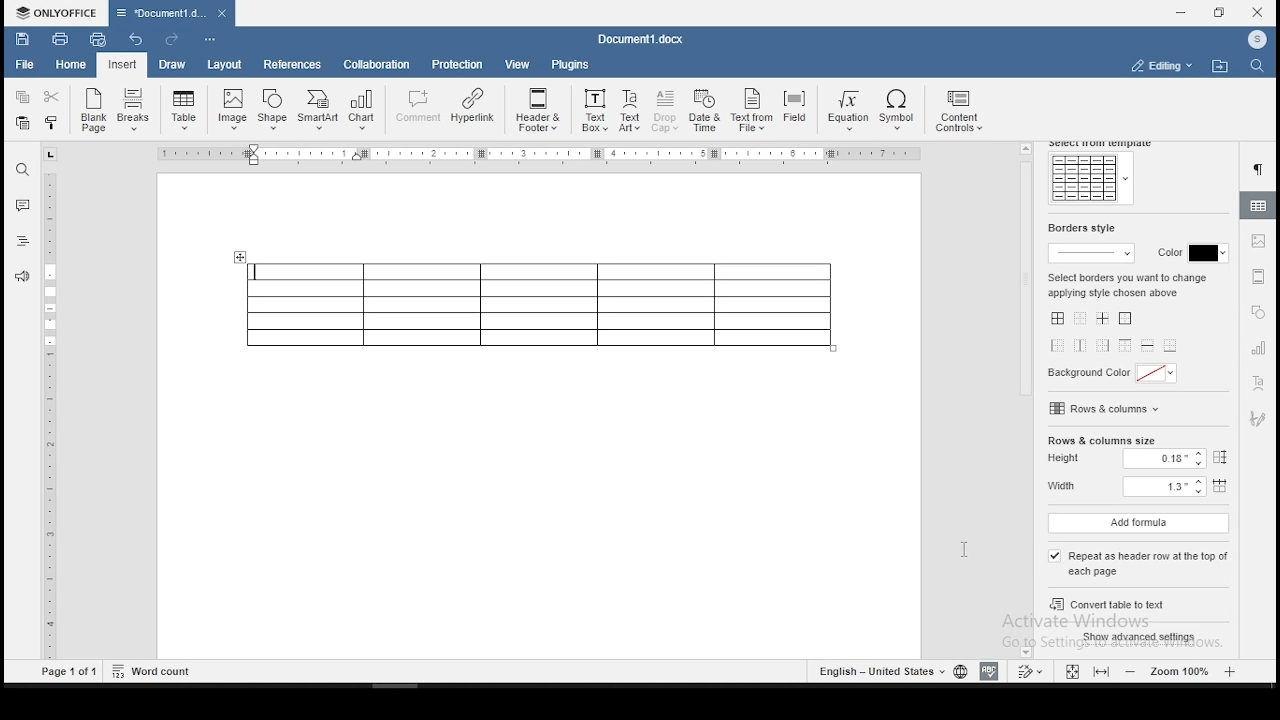 Image resolution: width=1280 pixels, height=720 pixels. Describe the element at coordinates (56, 96) in the screenshot. I see `cut` at that location.